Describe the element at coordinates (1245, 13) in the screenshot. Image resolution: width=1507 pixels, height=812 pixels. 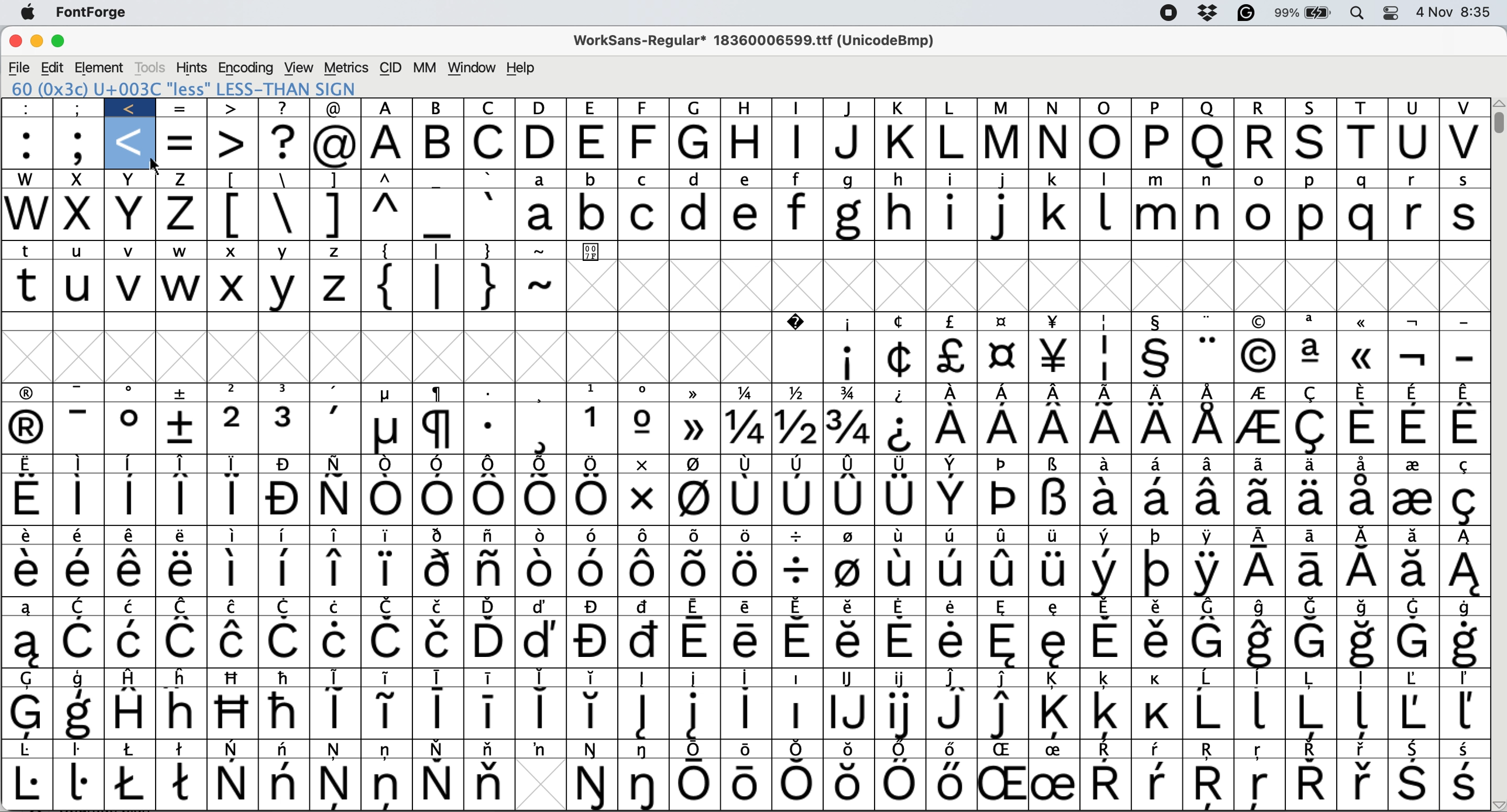
I see `grammarly` at that location.